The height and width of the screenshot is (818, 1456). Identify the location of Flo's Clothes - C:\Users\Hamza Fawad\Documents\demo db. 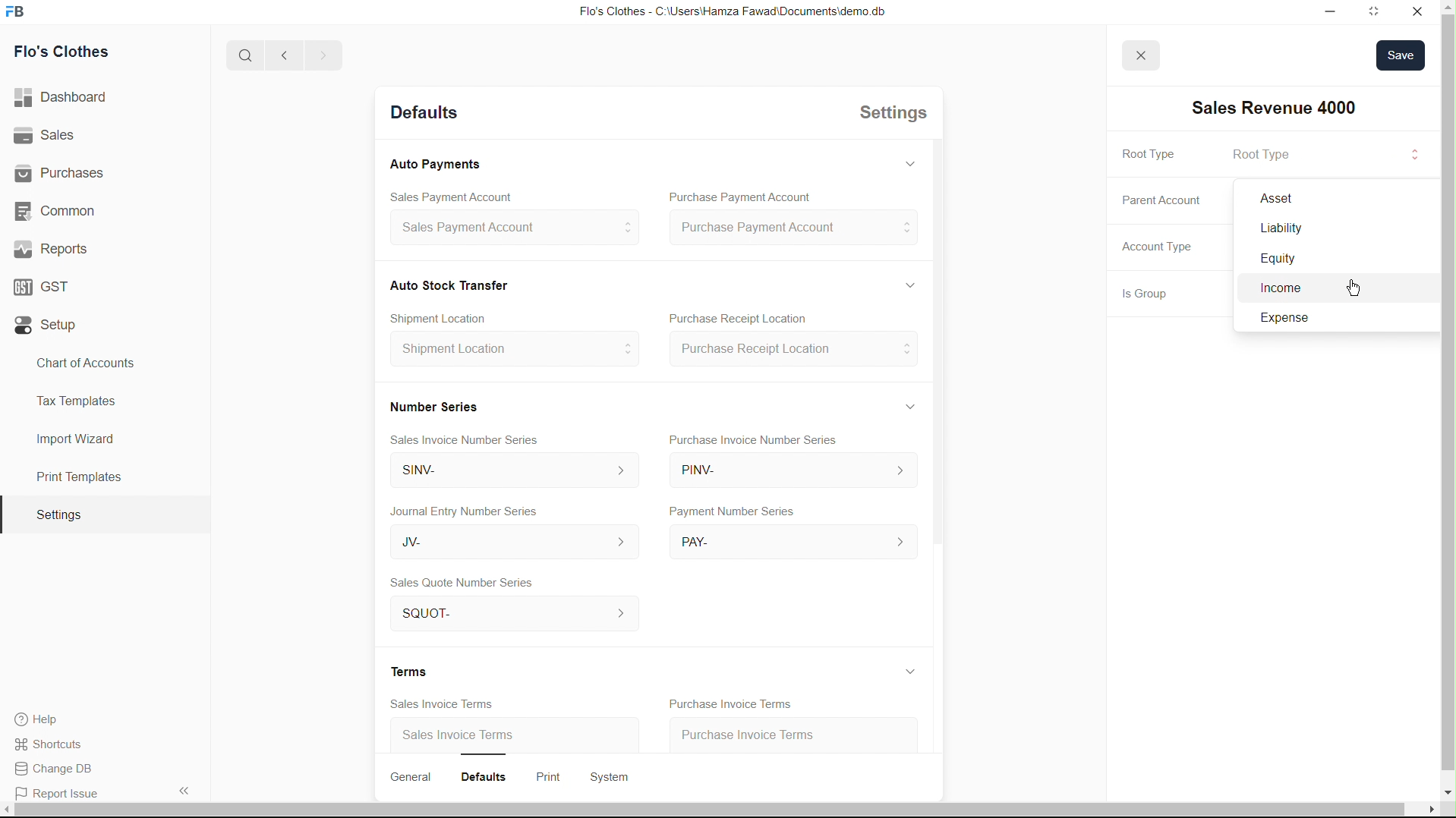
(739, 12).